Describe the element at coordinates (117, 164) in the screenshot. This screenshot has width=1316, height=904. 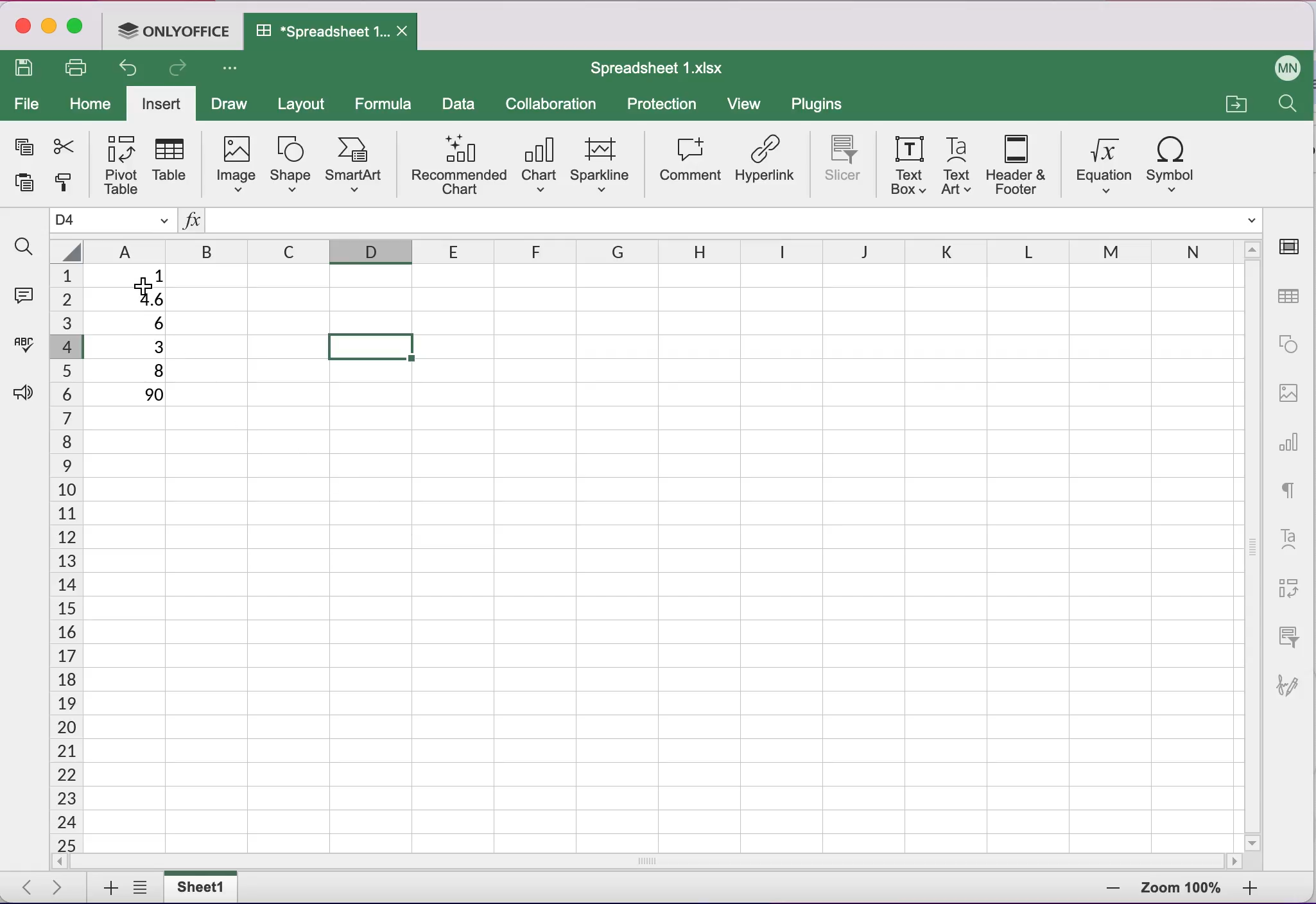
I see `pivot table` at that location.